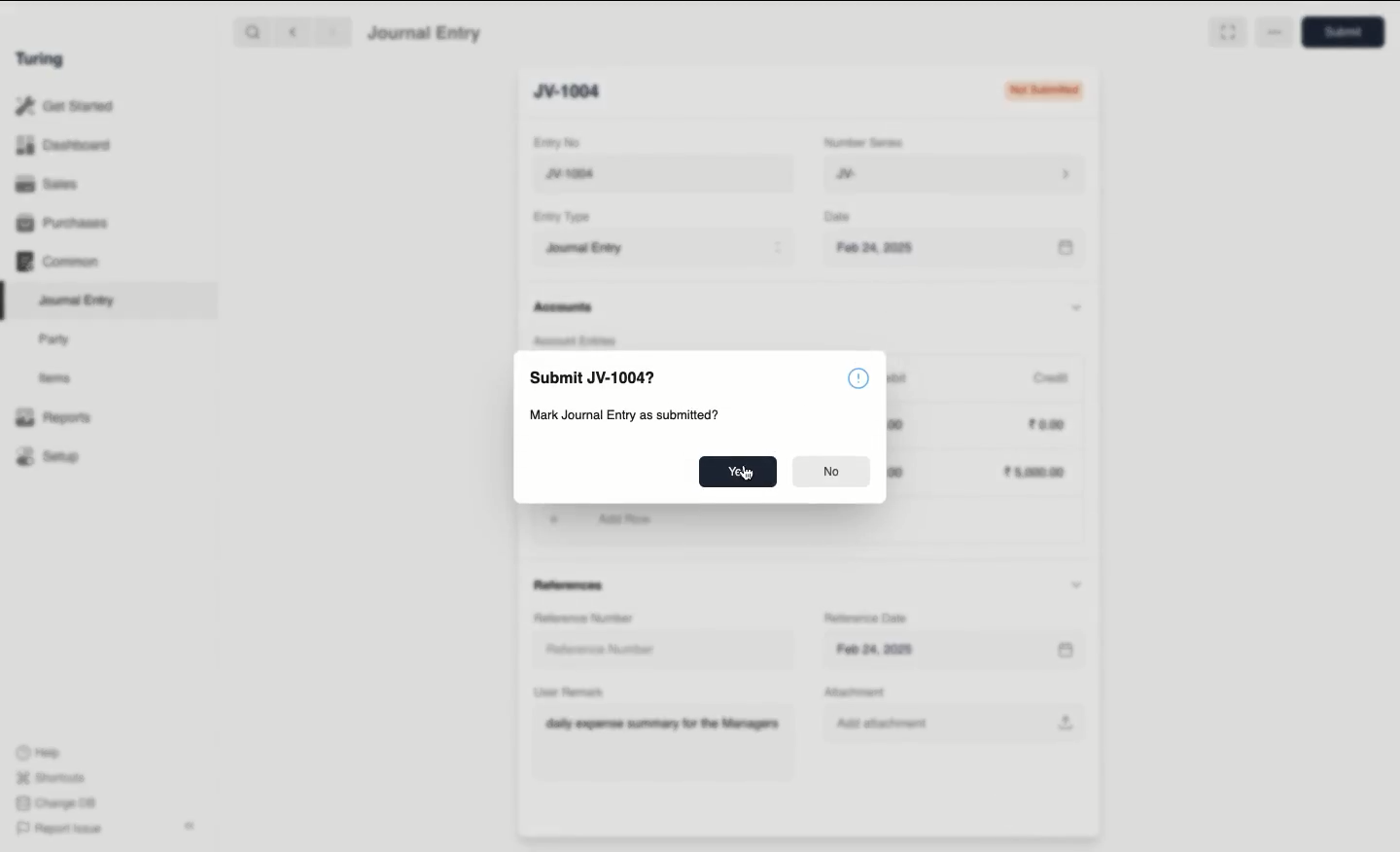 This screenshot has height=852, width=1400. I want to click on Items, so click(55, 377).